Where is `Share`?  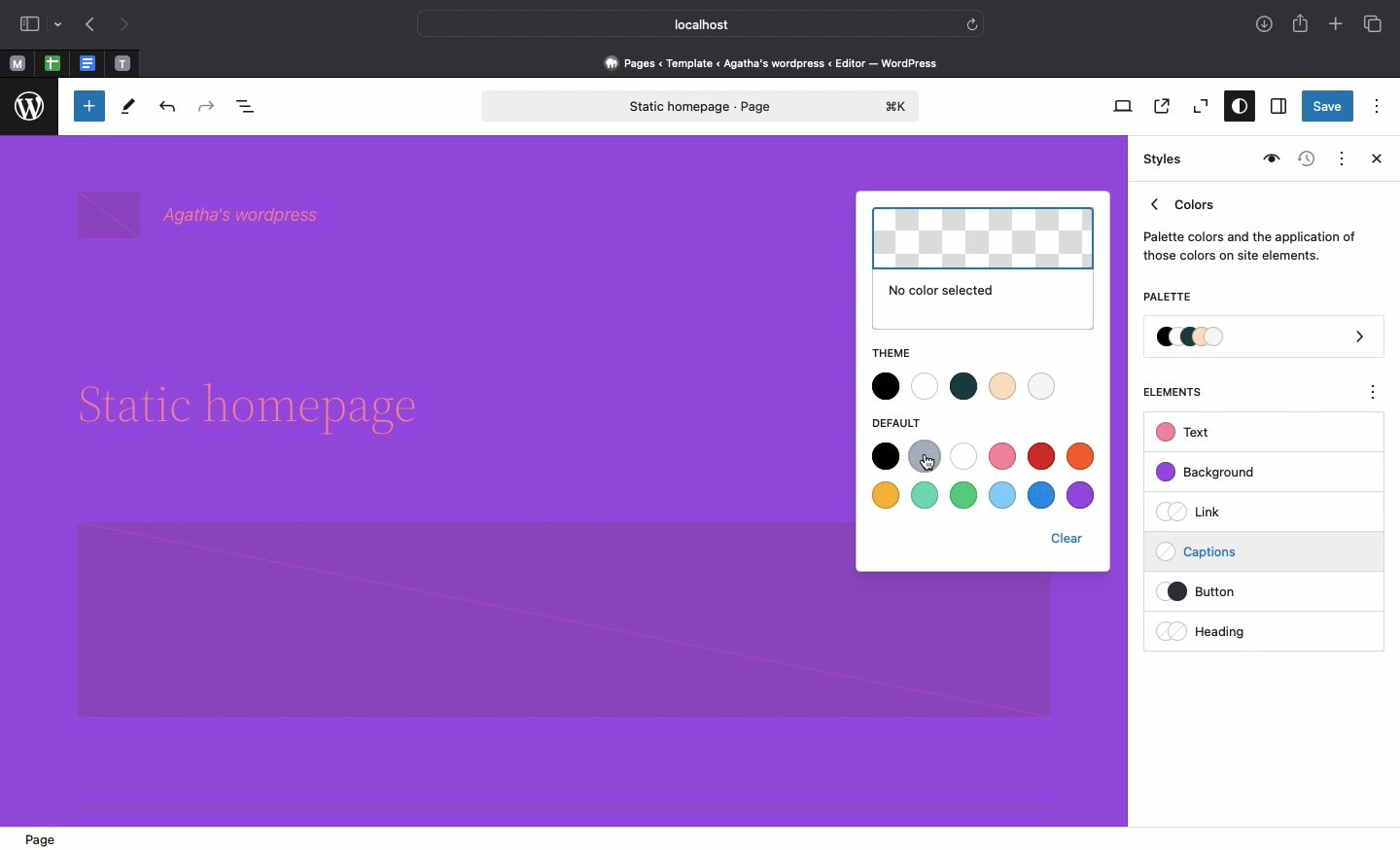 Share is located at coordinates (1302, 23).